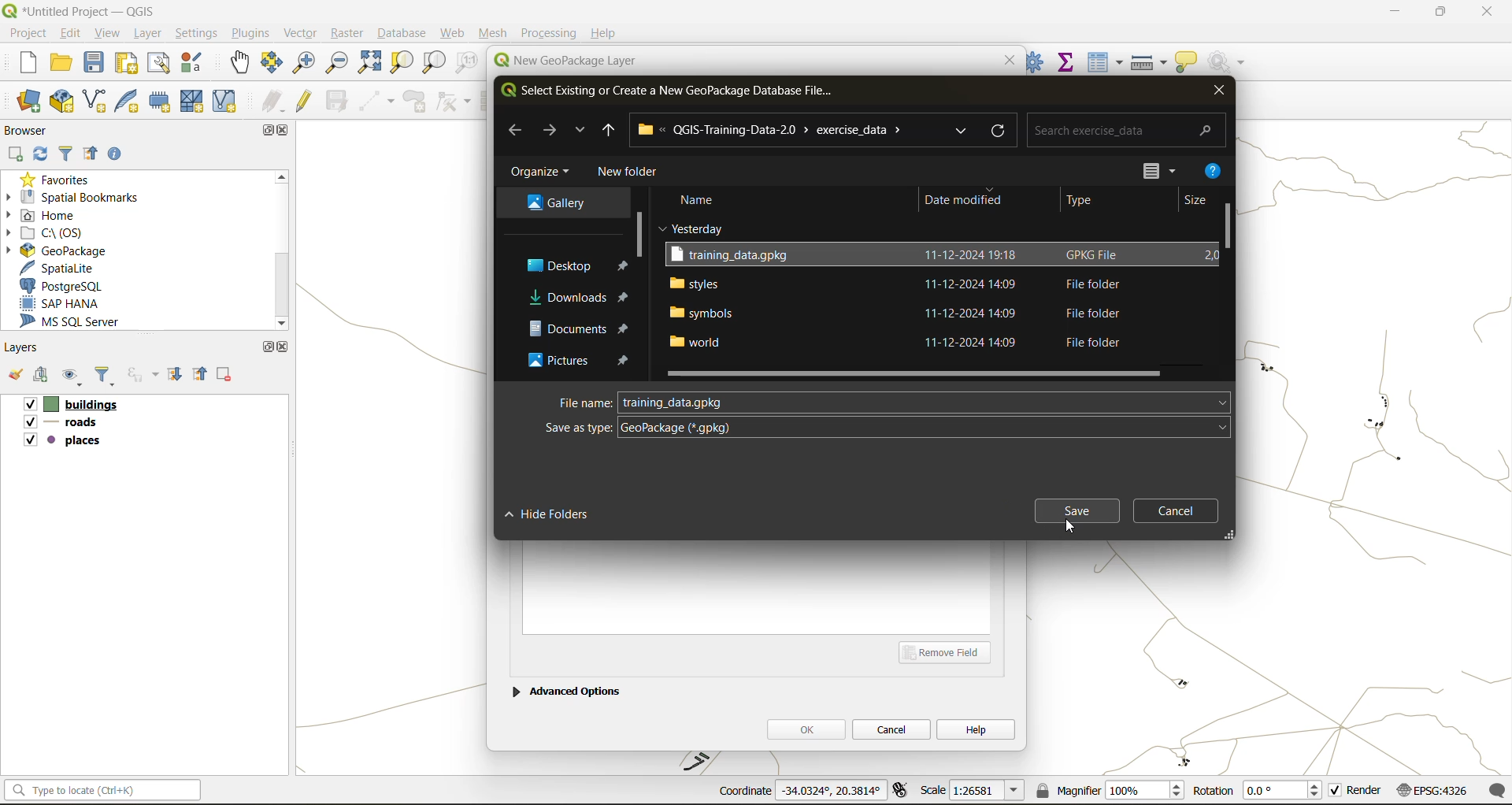 The image size is (1512, 805). Describe the element at coordinates (921, 373) in the screenshot. I see `Scroll Bar` at that location.